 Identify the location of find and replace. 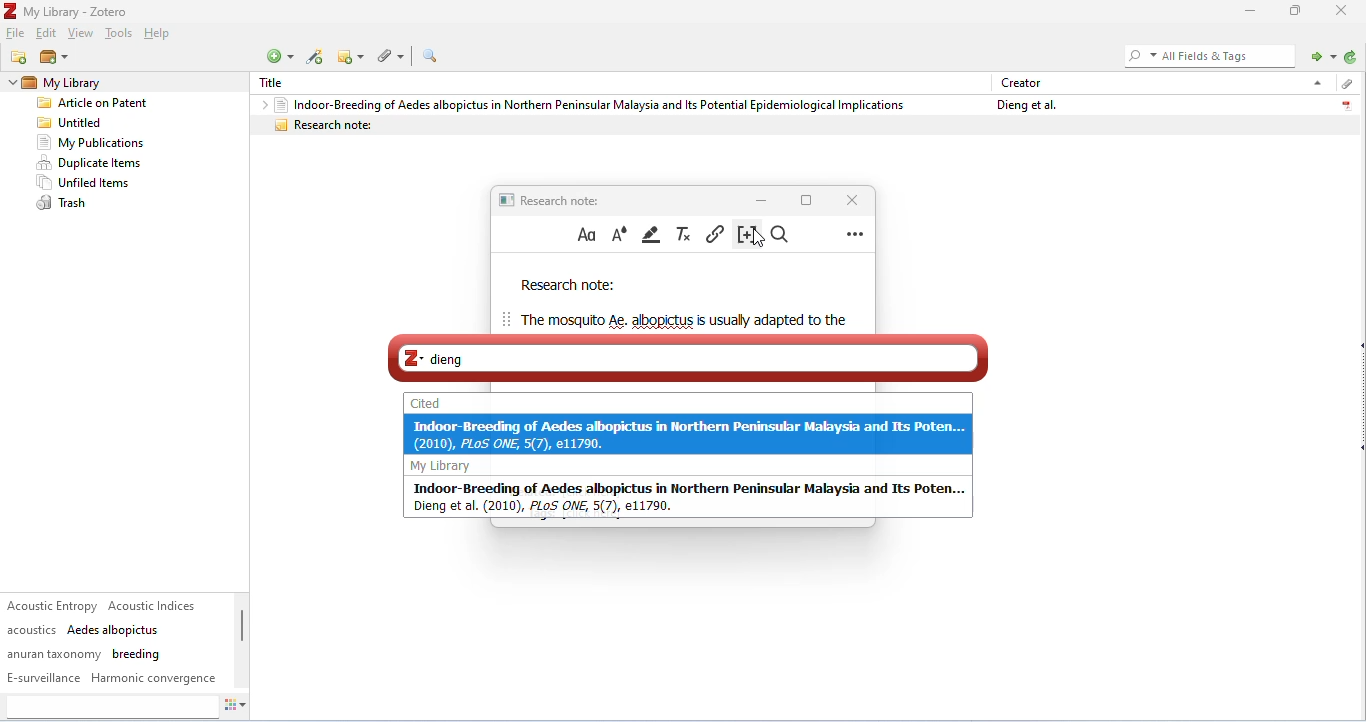
(783, 235).